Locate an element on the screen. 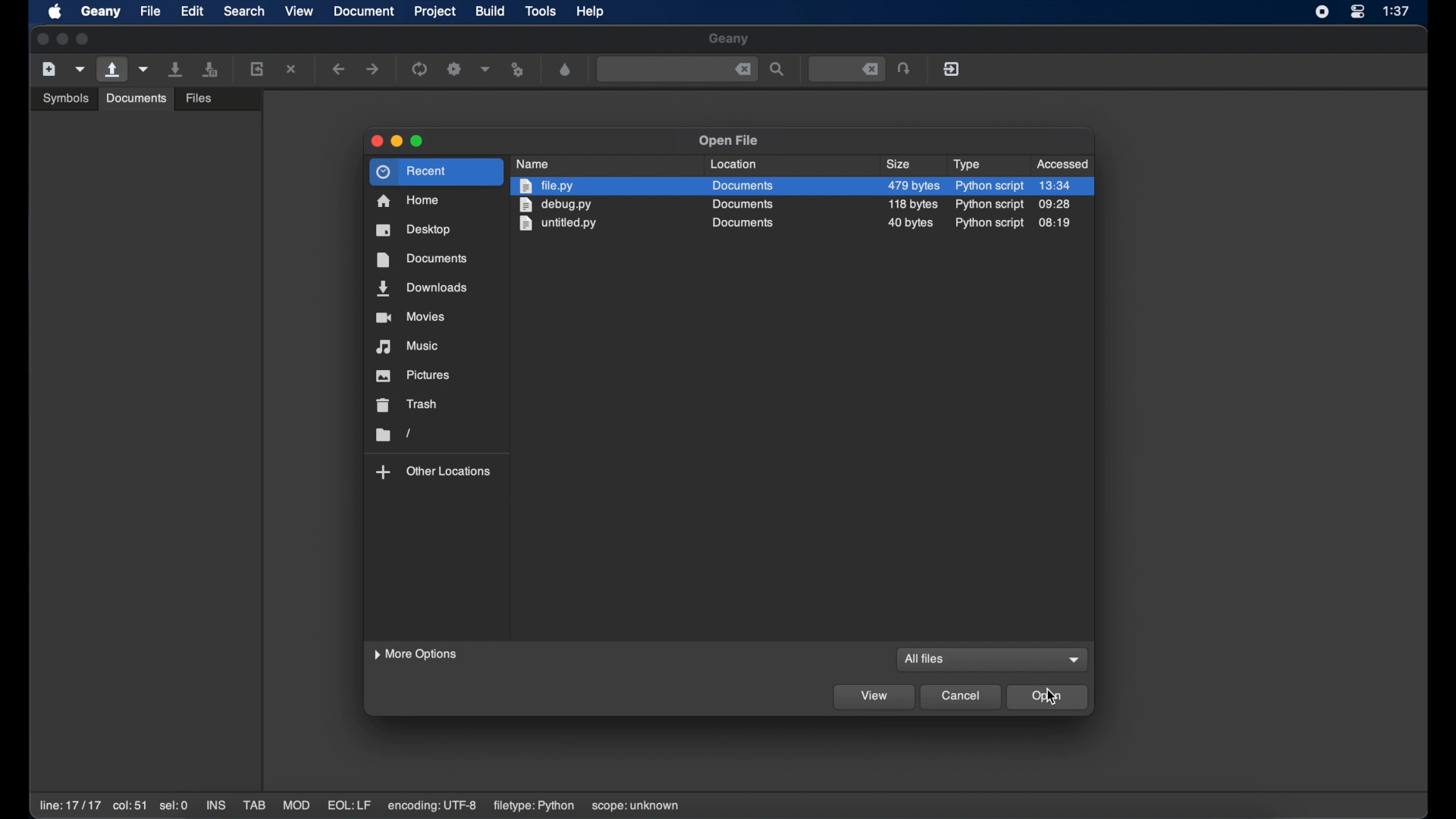  choose more build actions is located at coordinates (485, 69).